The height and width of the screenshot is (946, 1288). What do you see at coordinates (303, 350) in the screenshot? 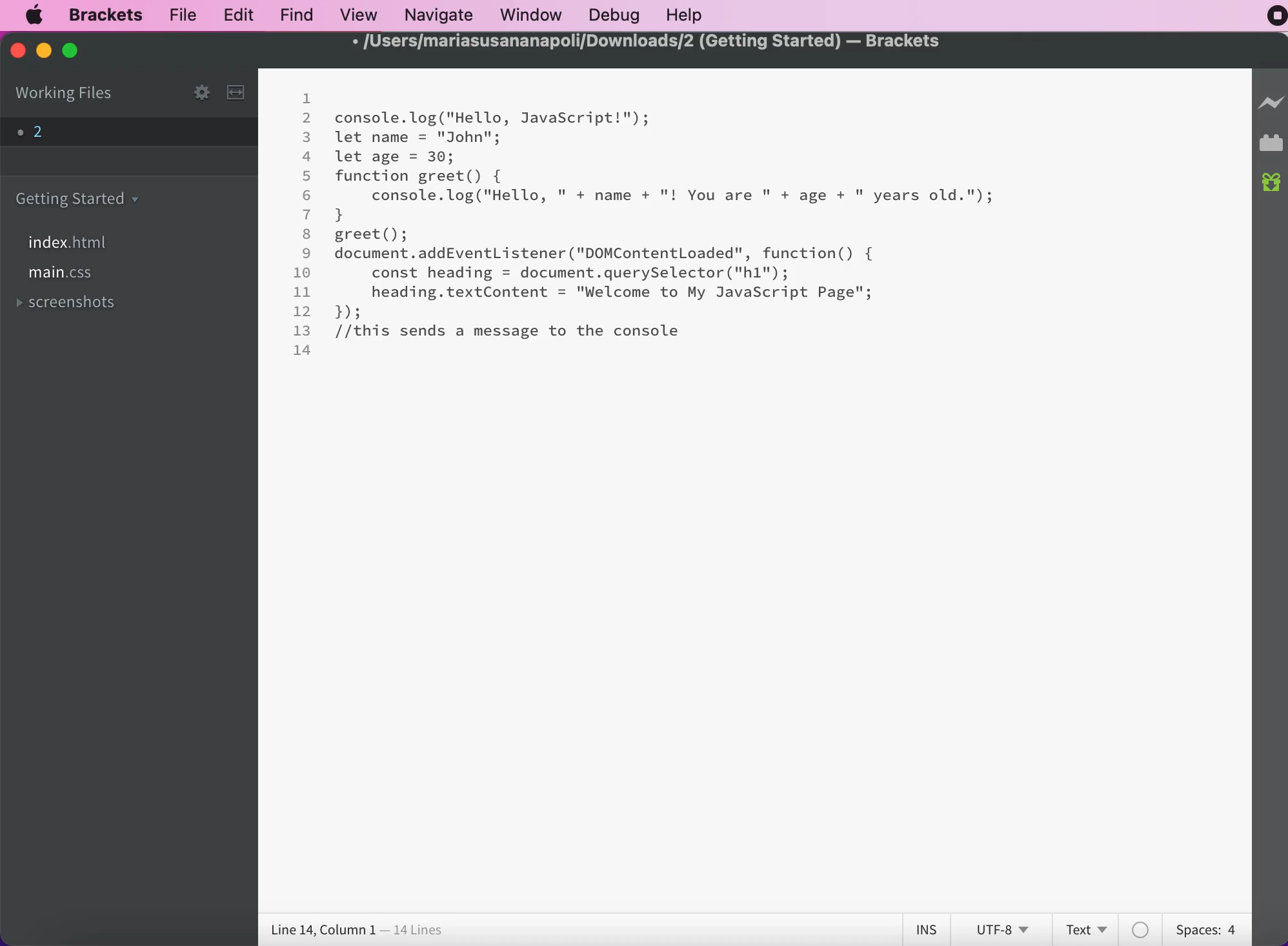
I see `14` at bounding box center [303, 350].